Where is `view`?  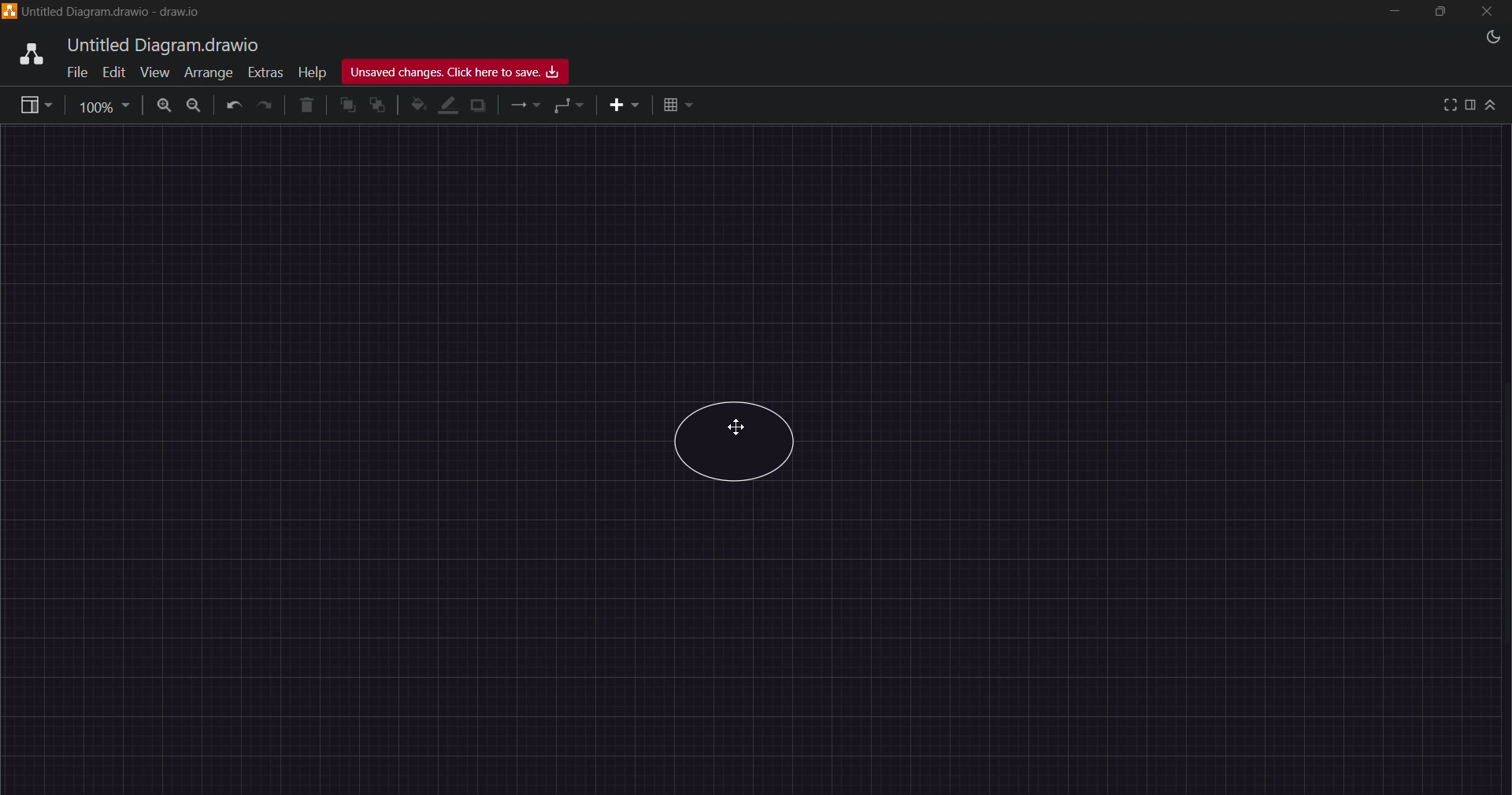 view is located at coordinates (33, 103).